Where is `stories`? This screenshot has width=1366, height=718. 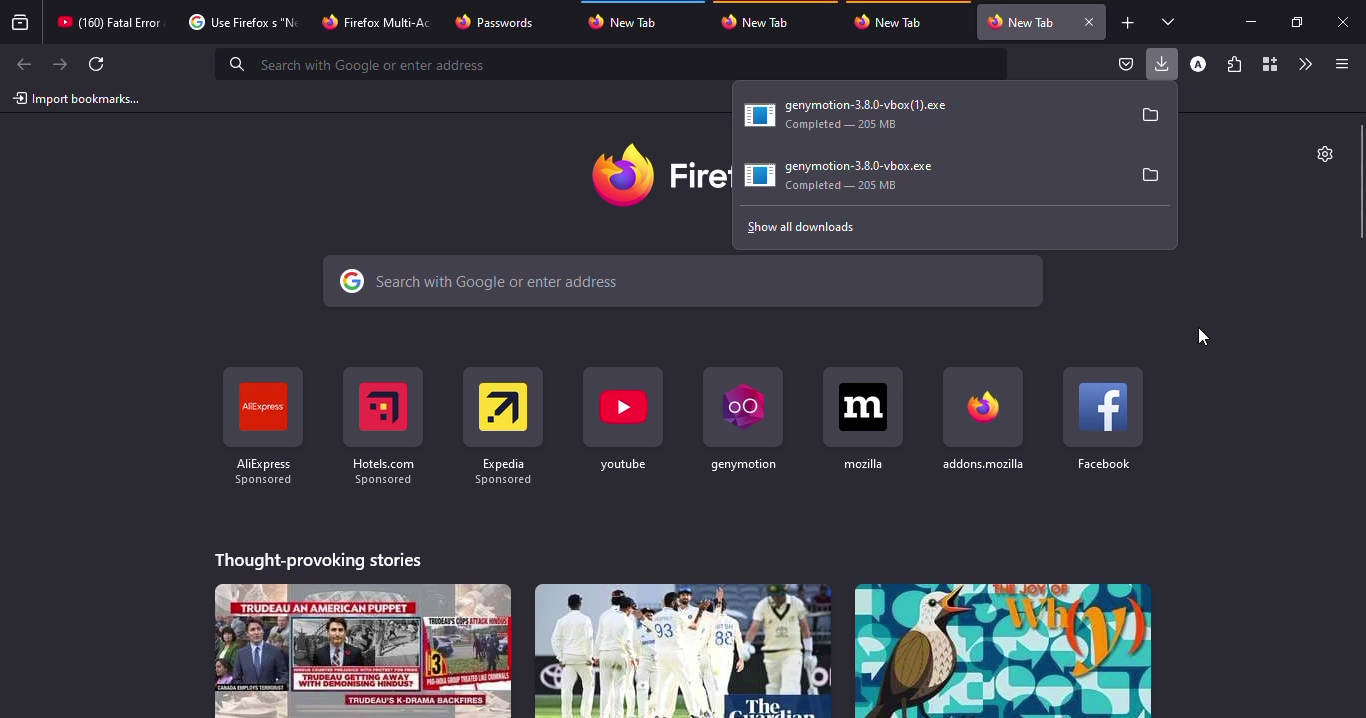 stories is located at coordinates (681, 650).